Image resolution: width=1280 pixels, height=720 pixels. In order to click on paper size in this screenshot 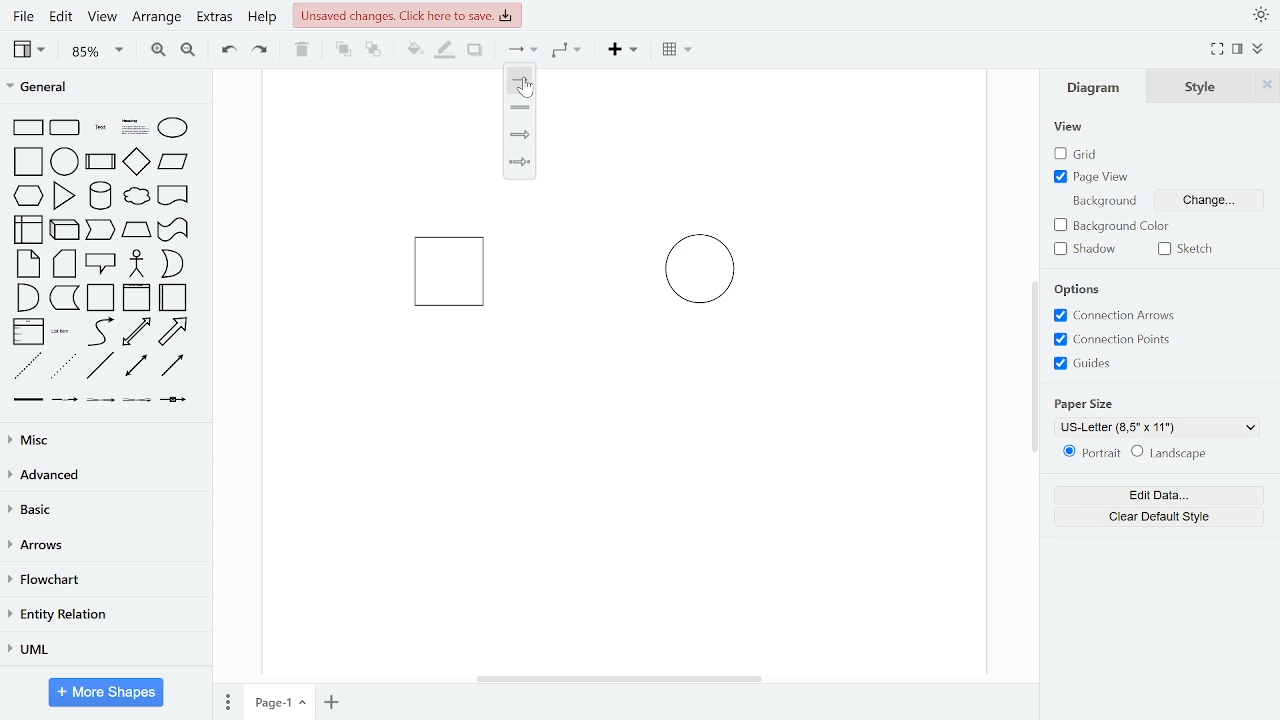, I will do `click(1086, 402)`.